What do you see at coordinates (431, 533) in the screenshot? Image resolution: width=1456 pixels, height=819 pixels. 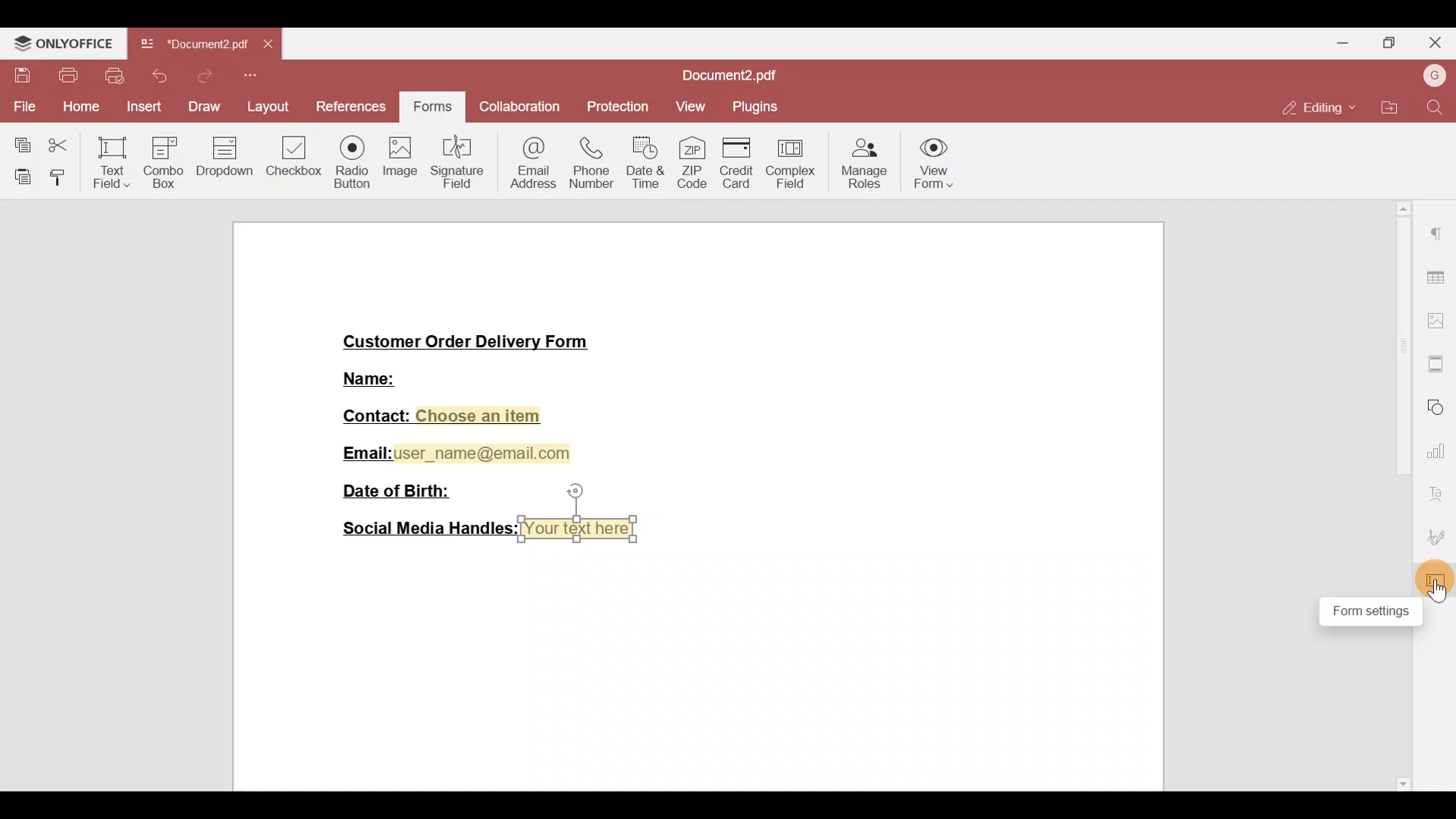 I see `Social Media Handles` at bounding box center [431, 533].